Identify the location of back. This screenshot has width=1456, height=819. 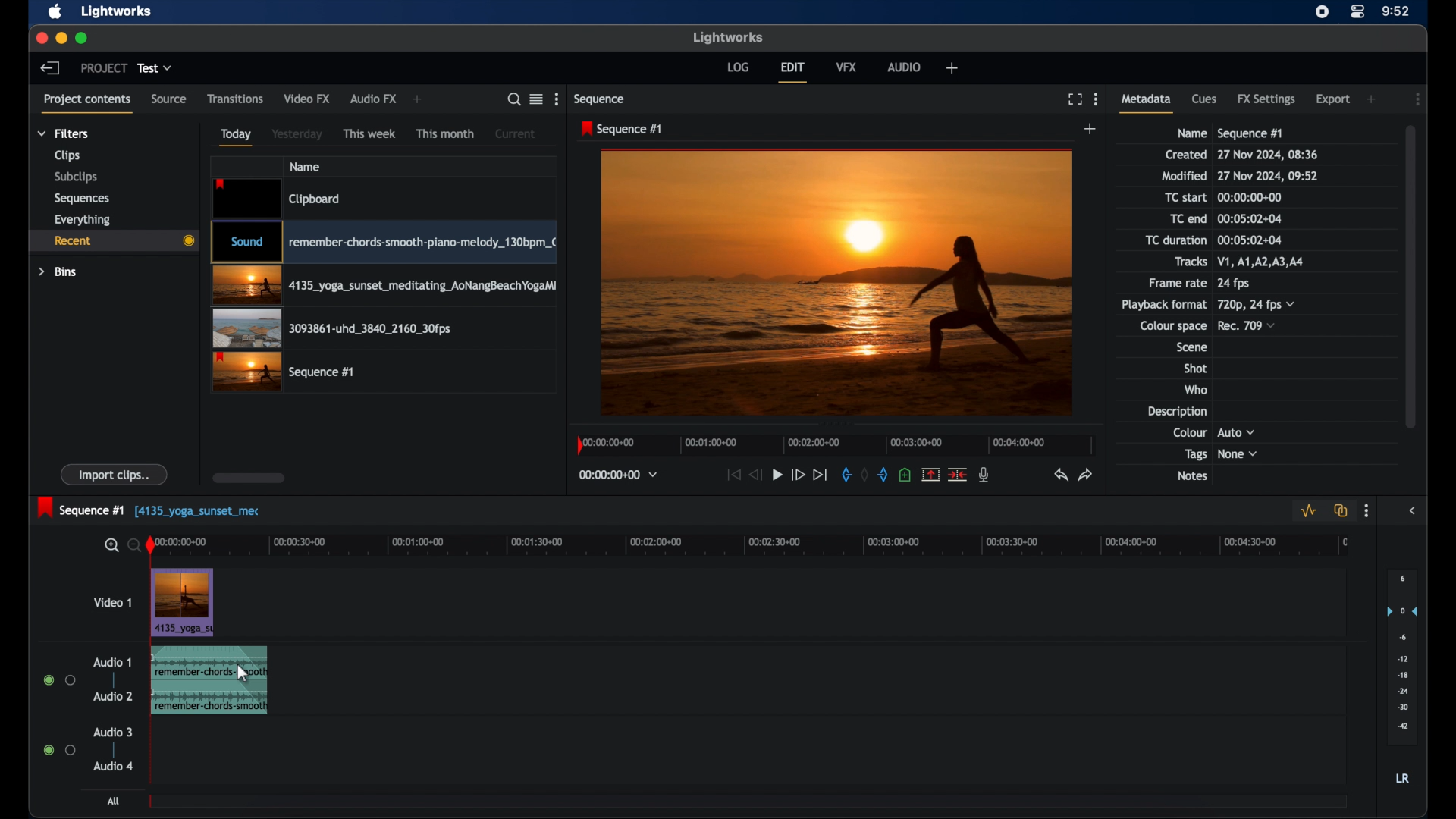
(50, 68).